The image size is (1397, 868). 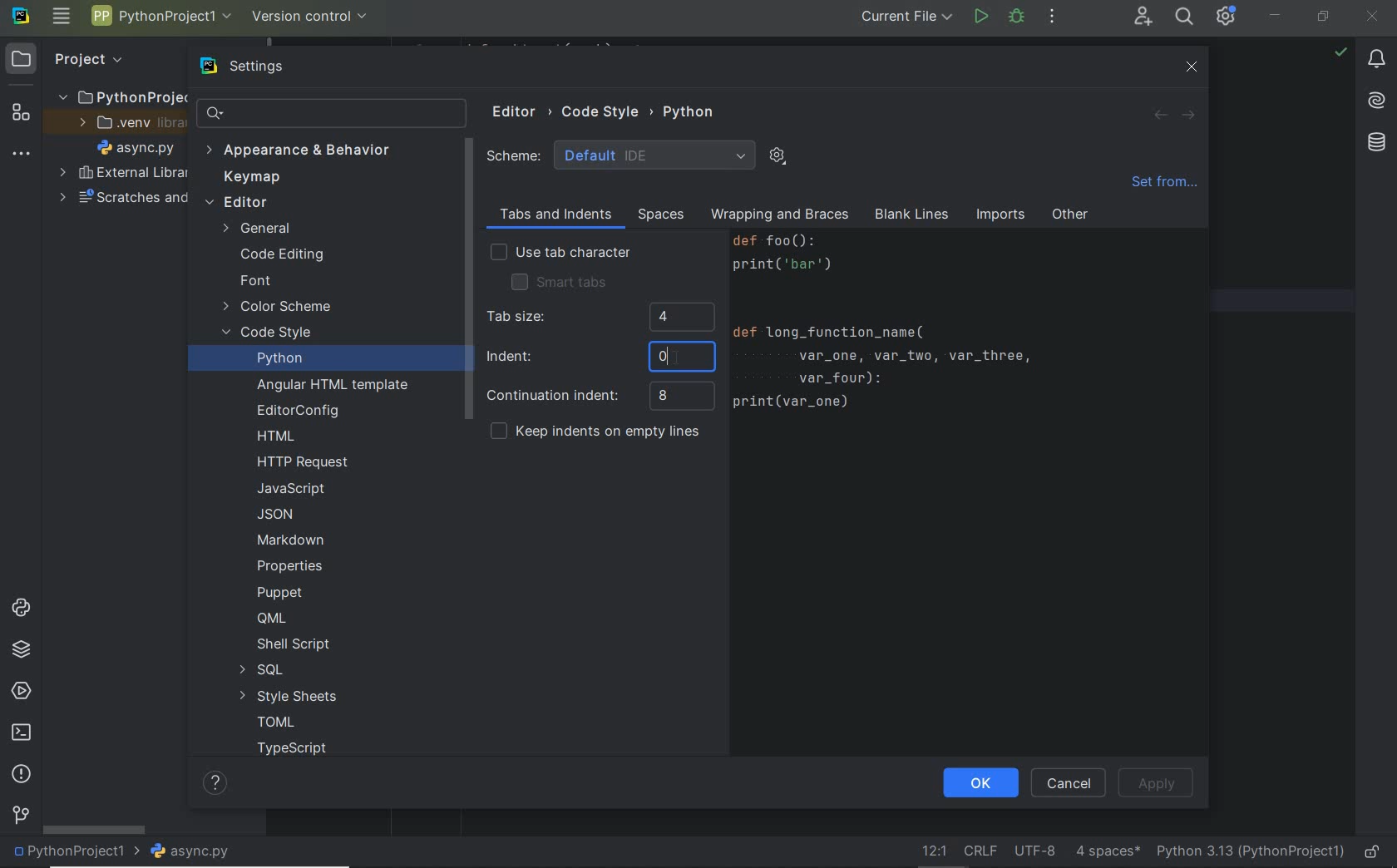 What do you see at coordinates (22, 733) in the screenshot?
I see `terminal` at bounding box center [22, 733].